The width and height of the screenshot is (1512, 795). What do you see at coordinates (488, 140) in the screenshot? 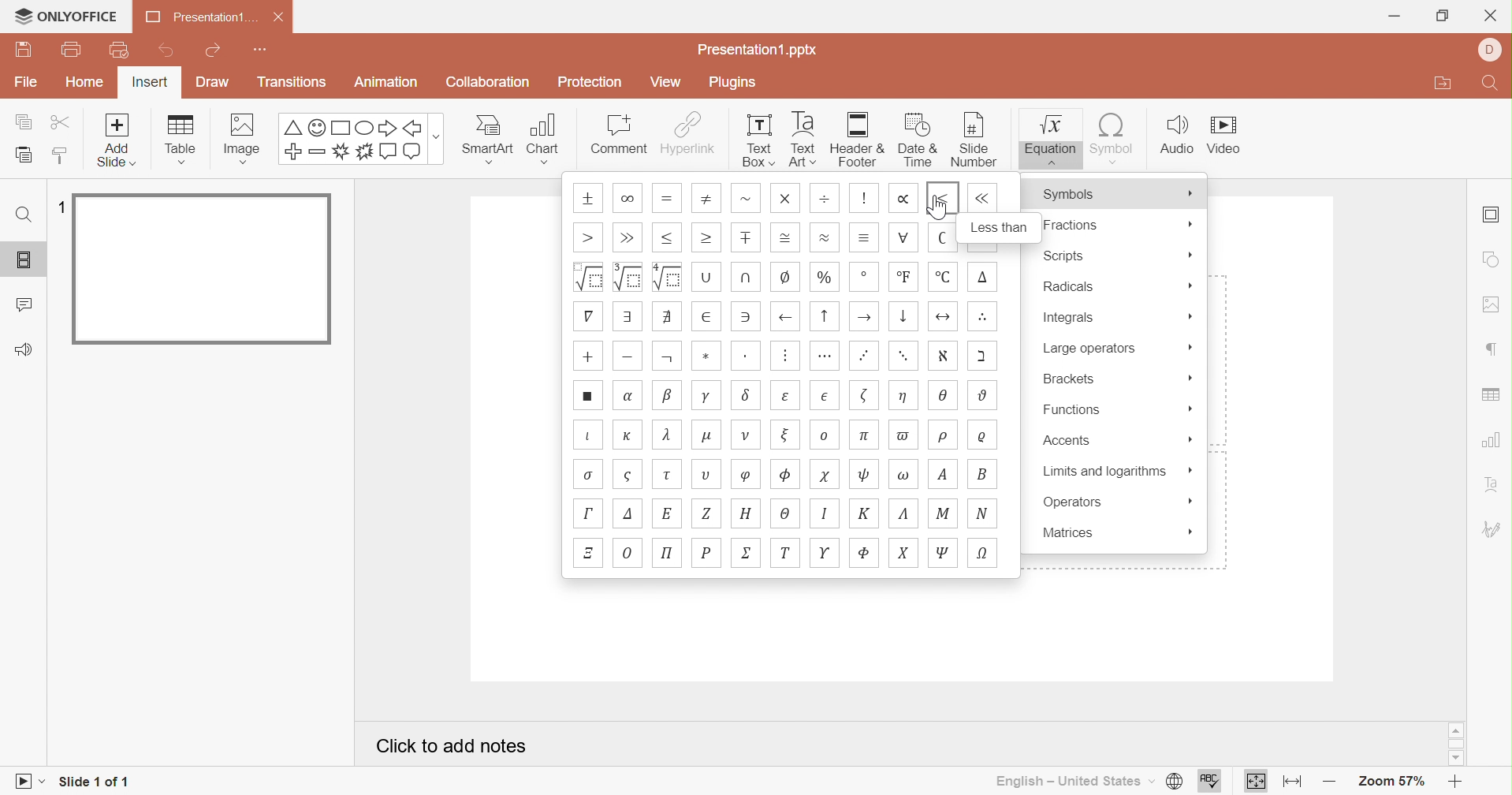
I see `Smart Art` at bounding box center [488, 140].